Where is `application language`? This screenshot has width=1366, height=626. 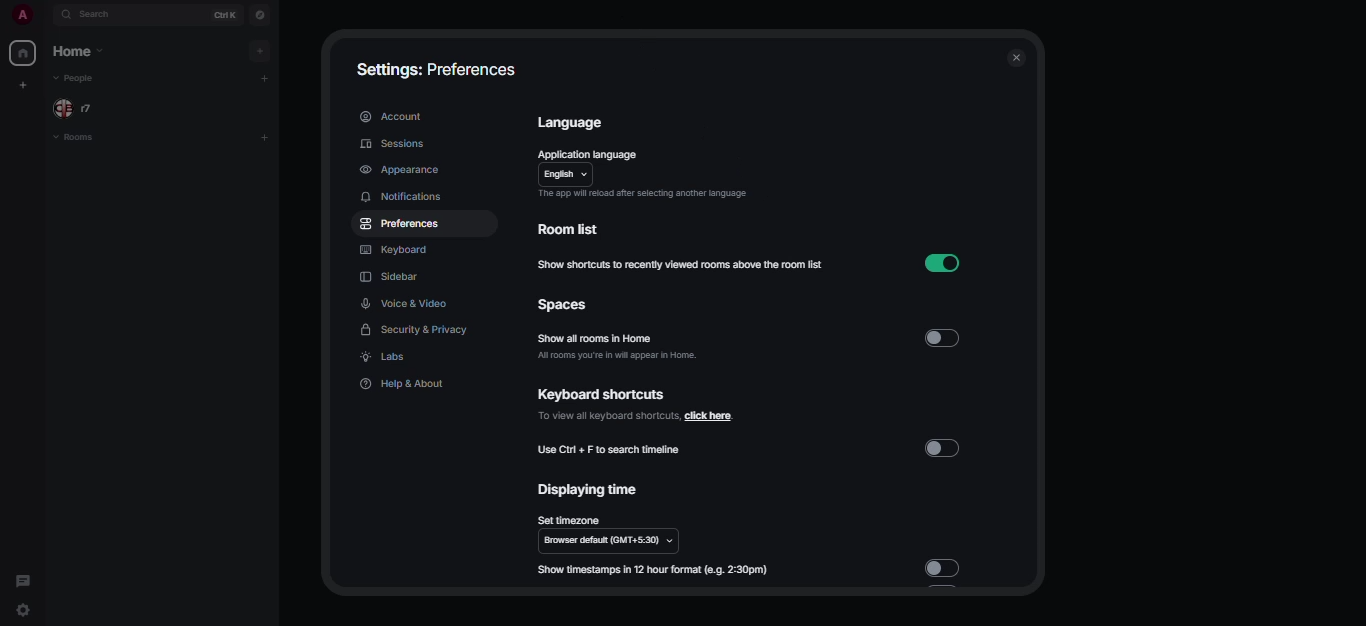 application language is located at coordinates (586, 153).